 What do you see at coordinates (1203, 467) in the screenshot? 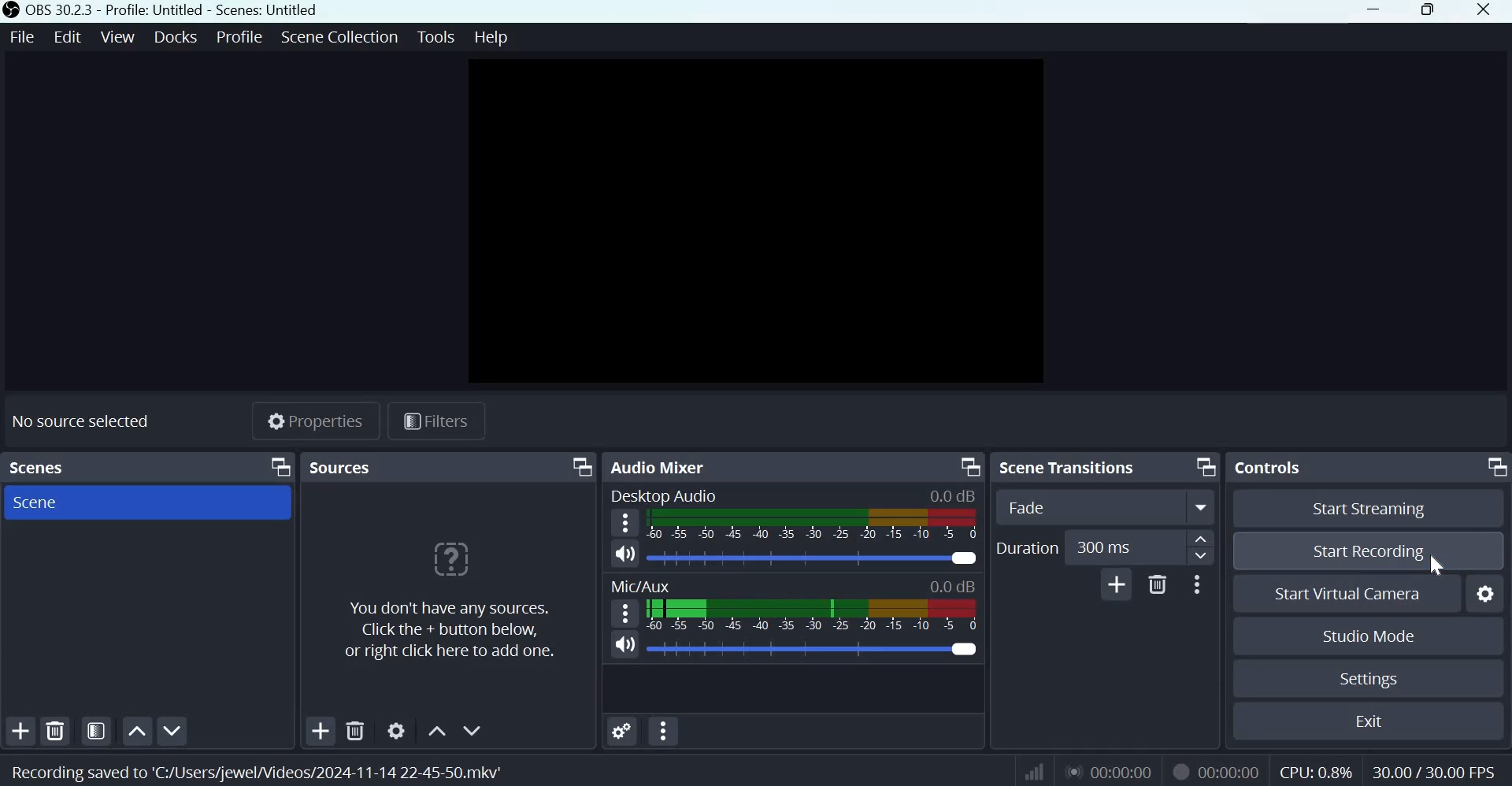
I see `Dock Options icon` at bounding box center [1203, 467].